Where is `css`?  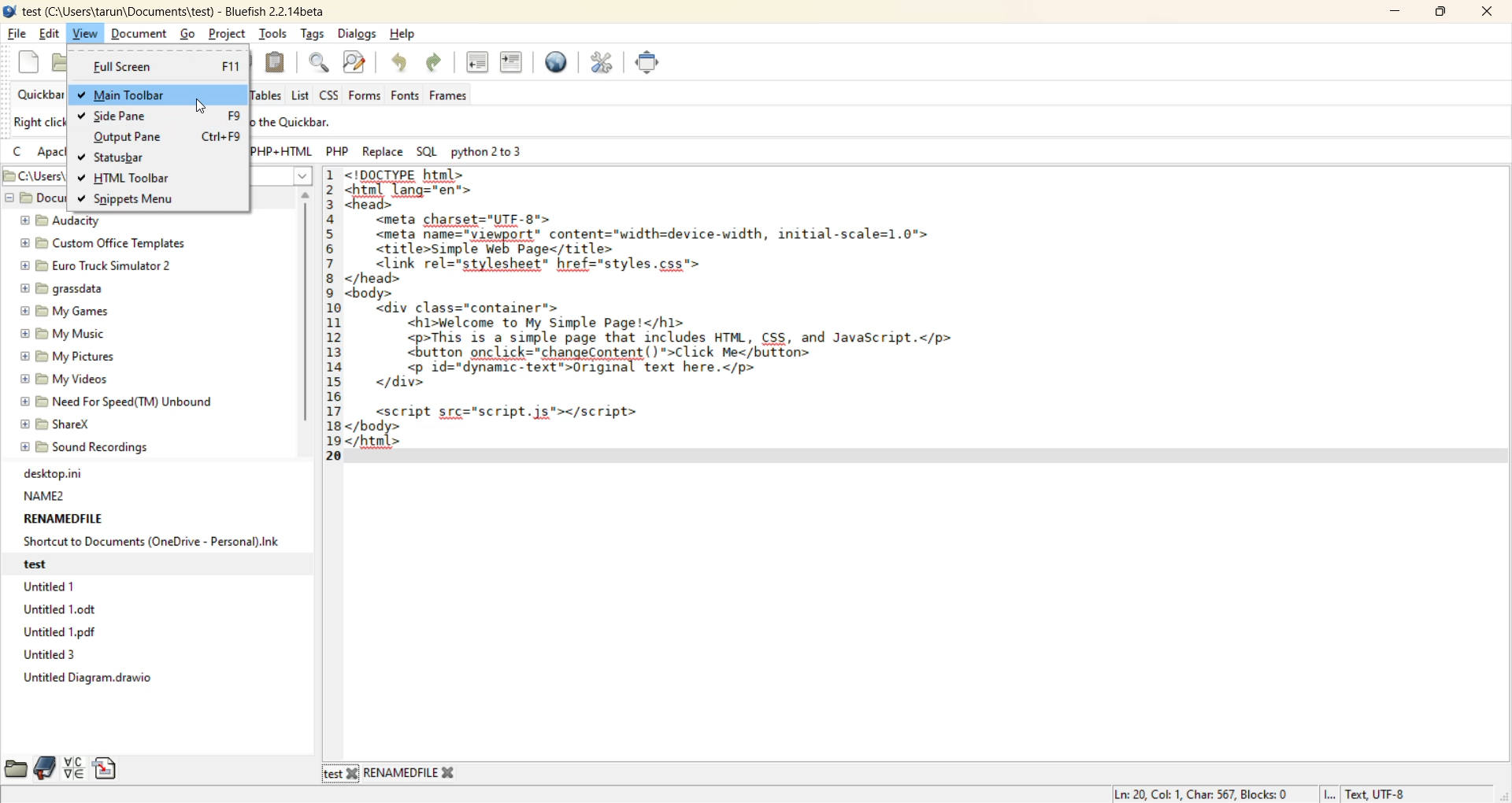
css is located at coordinates (333, 94).